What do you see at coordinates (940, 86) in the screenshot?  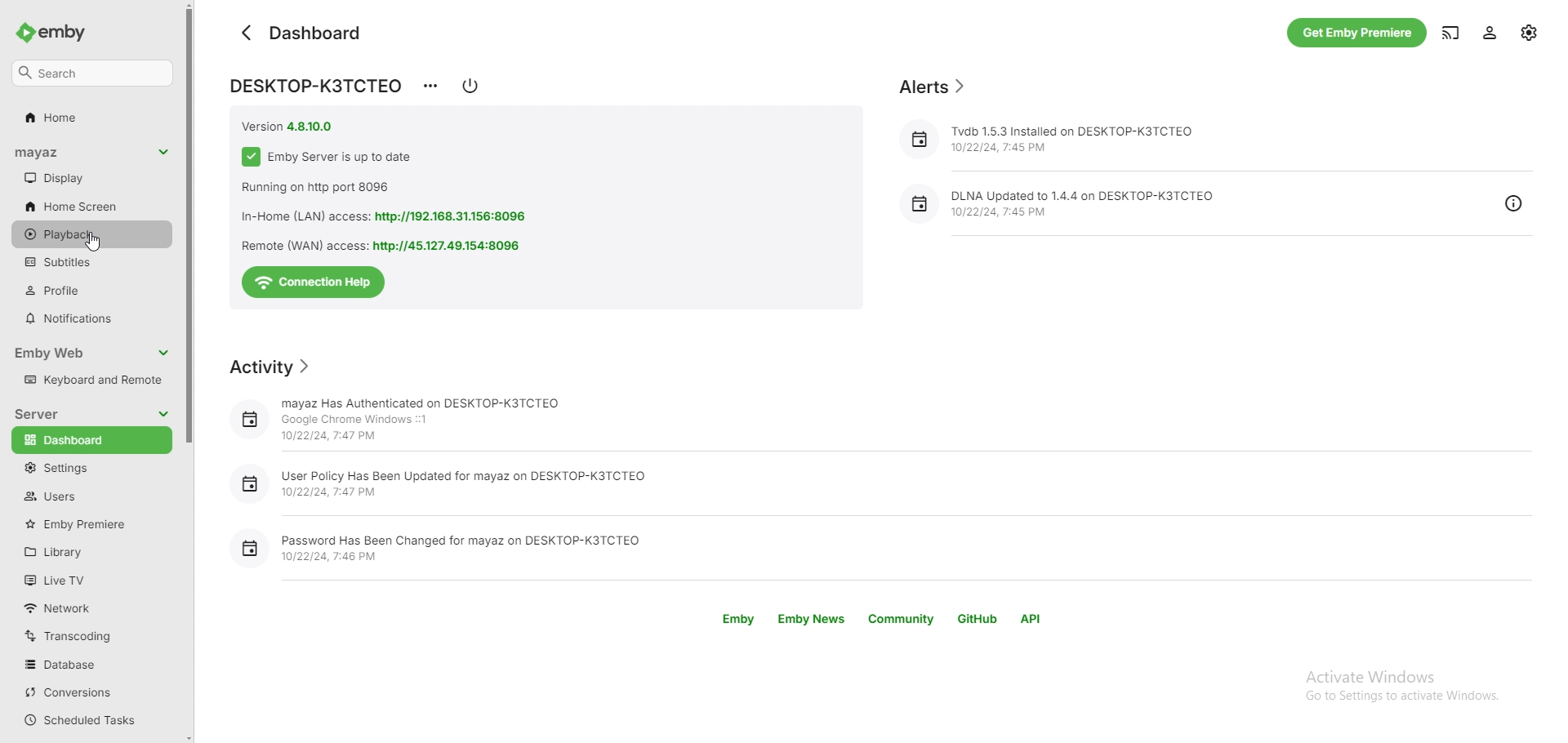 I see `alerts` at bounding box center [940, 86].